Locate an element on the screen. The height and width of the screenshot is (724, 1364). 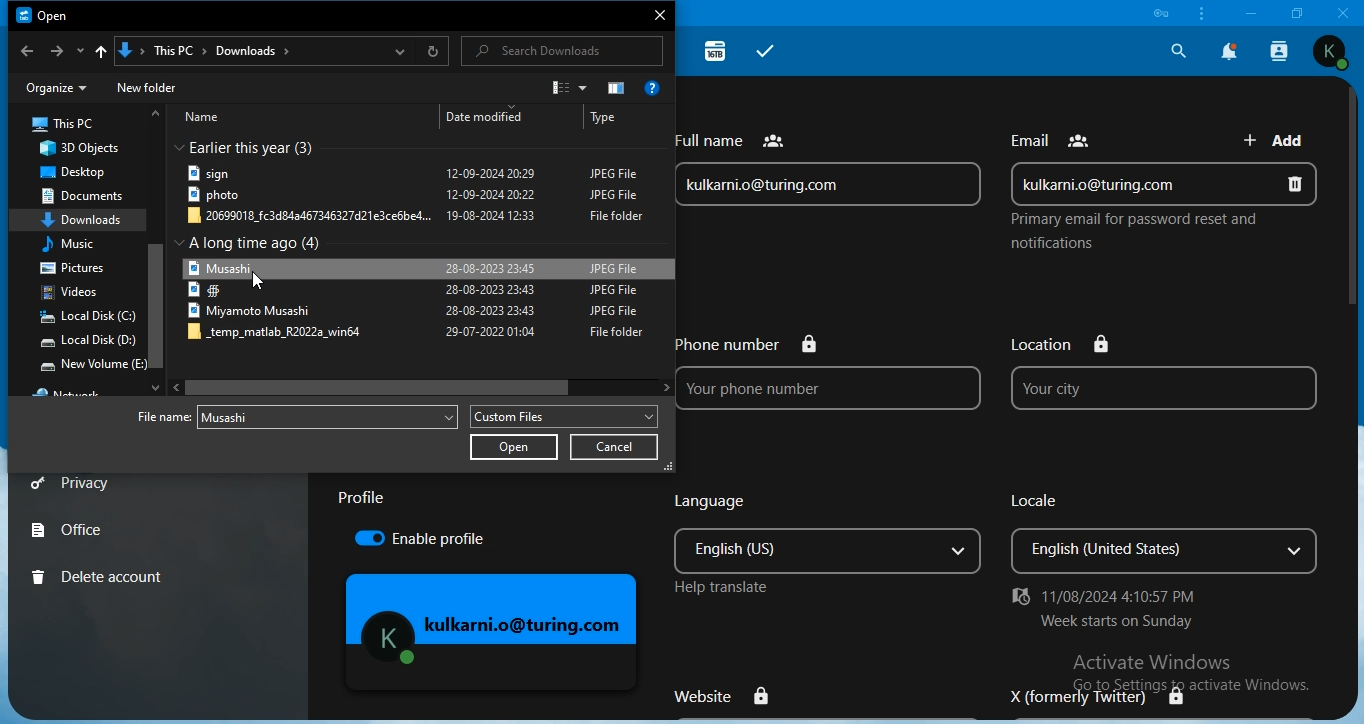
text is located at coordinates (72, 393).